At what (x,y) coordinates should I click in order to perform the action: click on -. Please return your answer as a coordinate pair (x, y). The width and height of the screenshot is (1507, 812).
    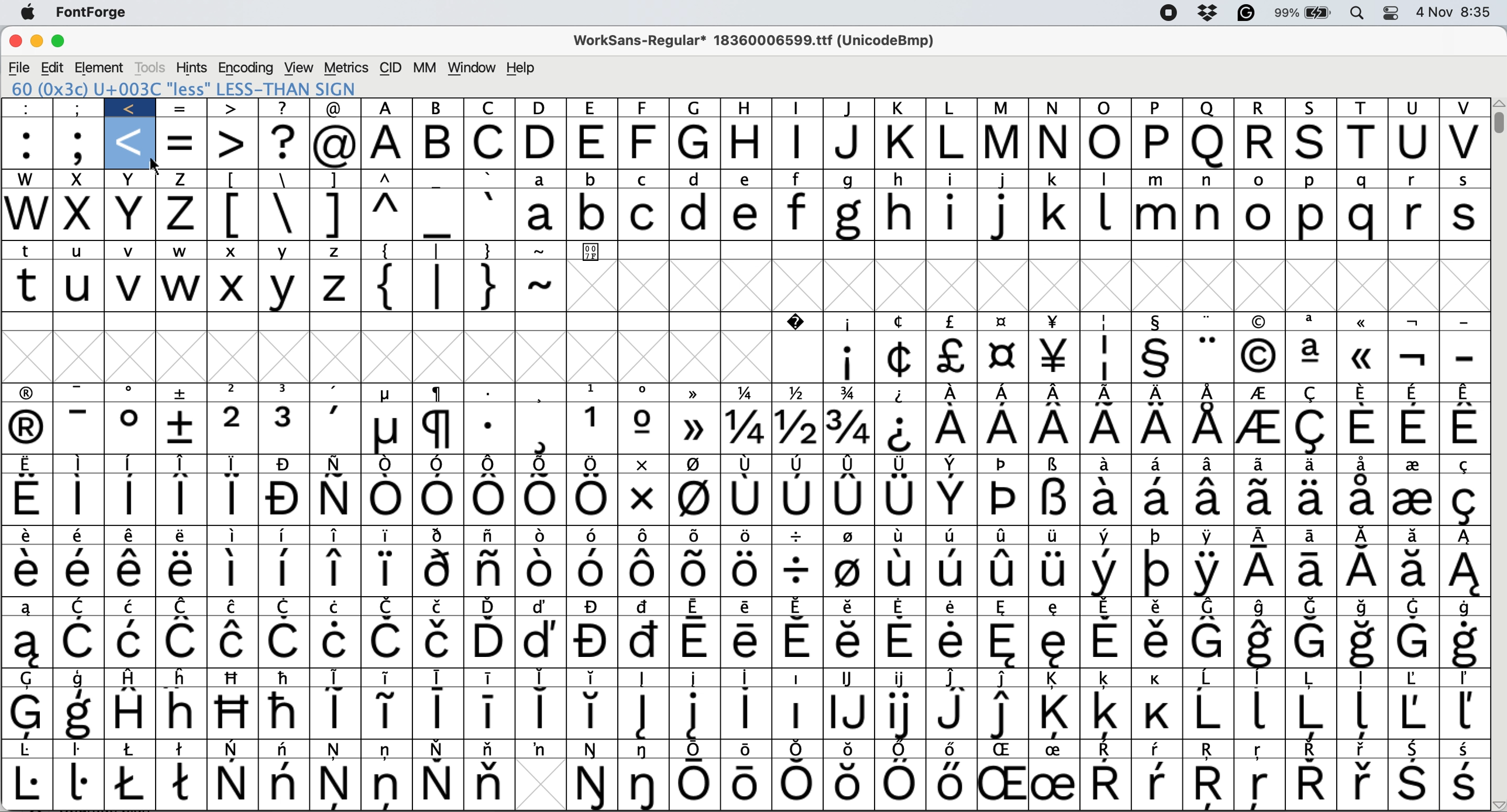
    Looking at the image, I should click on (82, 392).